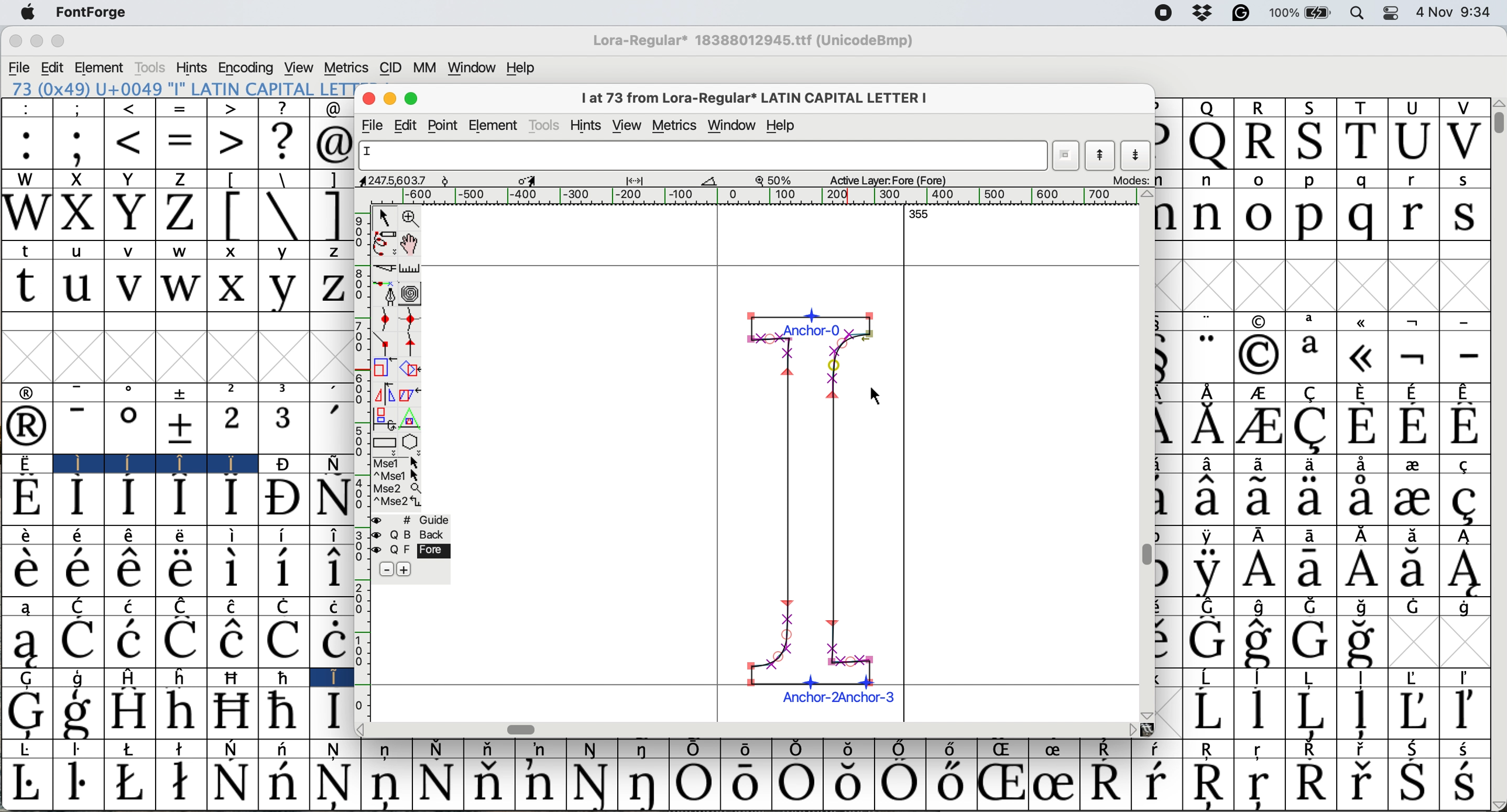  Describe the element at coordinates (1414, 356) in the screenshot. I see `Symbol` at that location.